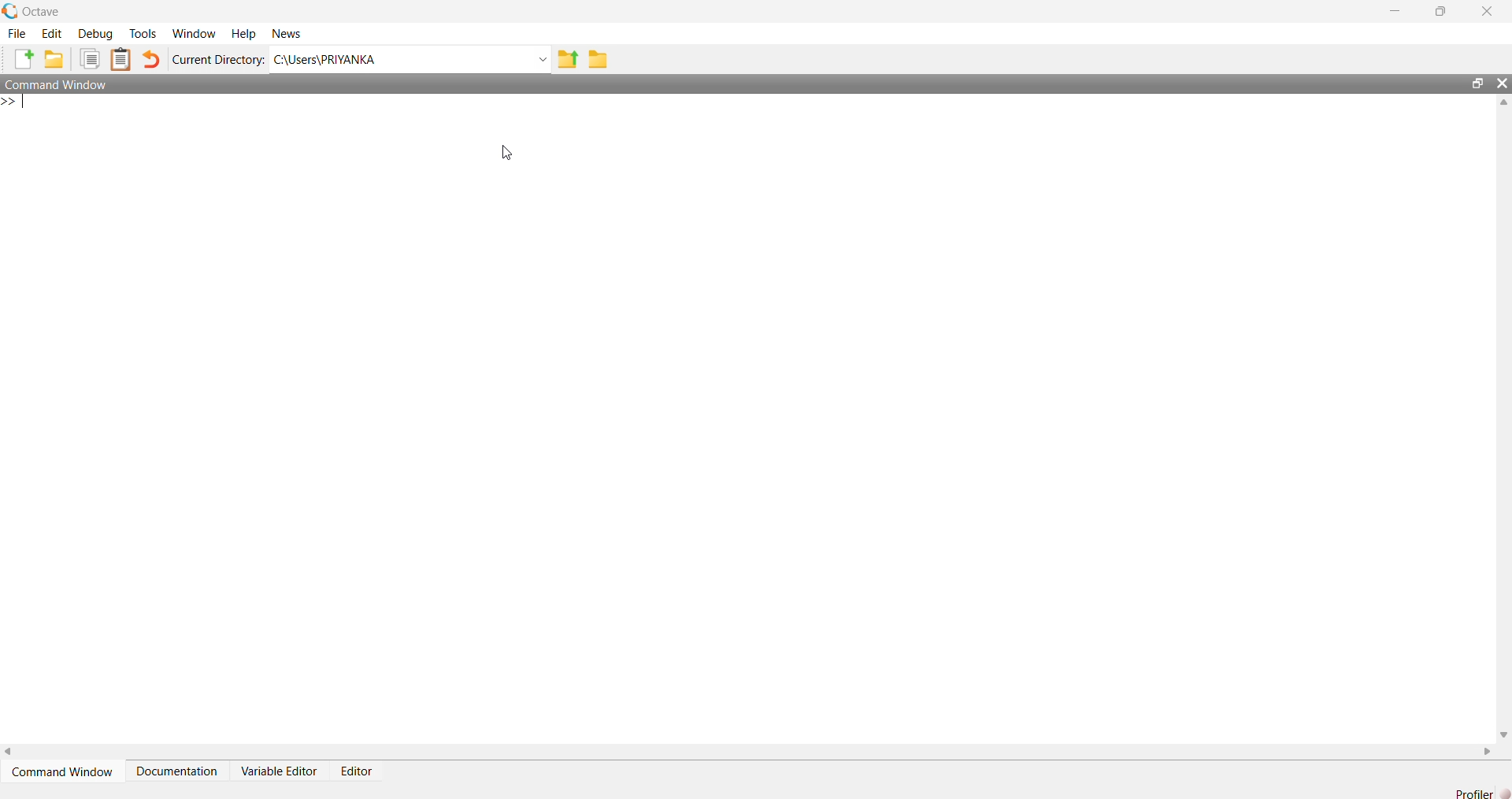 This screenshot has height=799, width=1512. What do you see at coordinates (56, 57) in the screenshot?
I see `Open an existing file in editor` at bounding box center [56, 57].